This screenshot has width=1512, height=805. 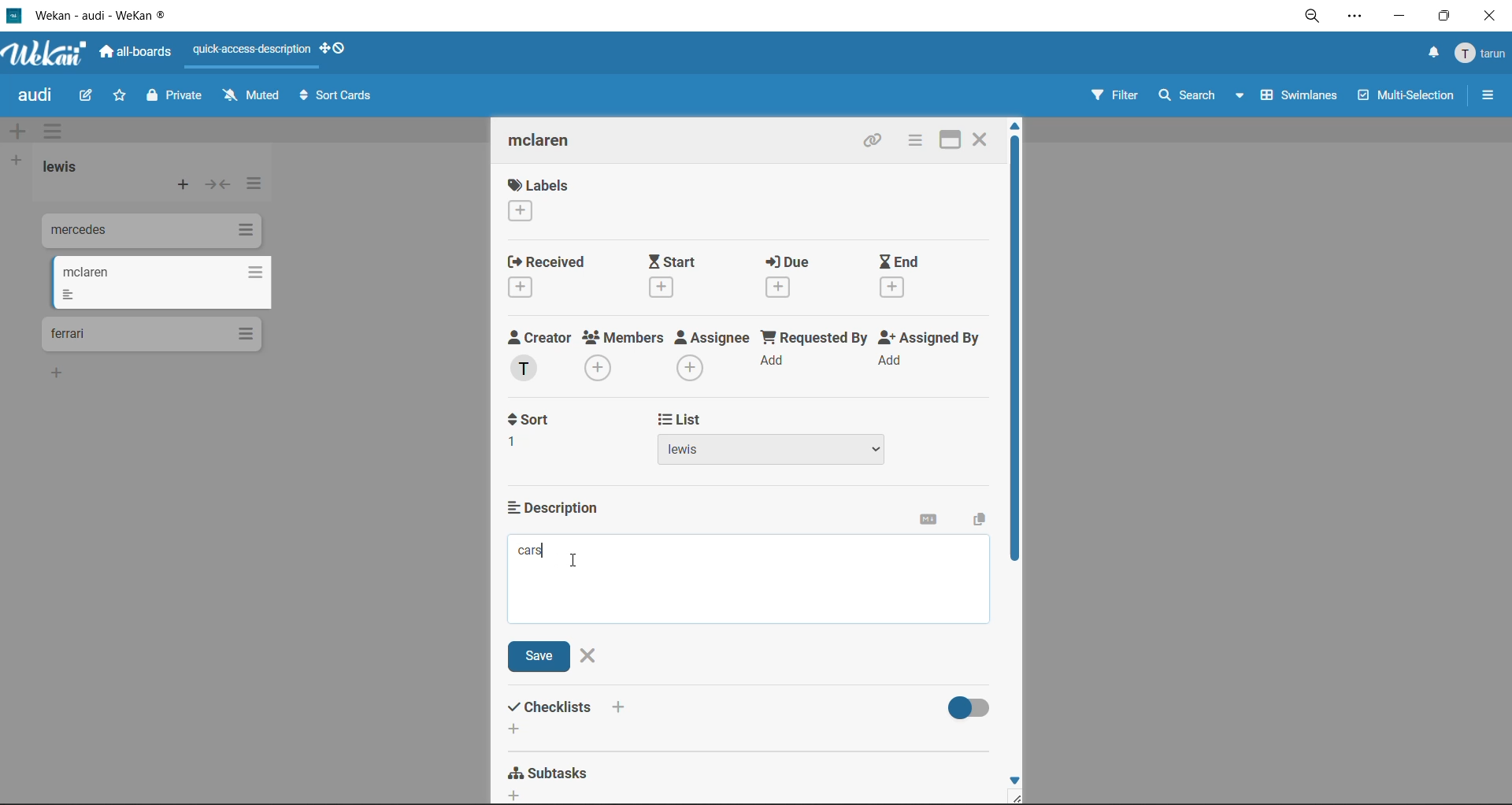 I want to click on due, so click(x=802, y=276).